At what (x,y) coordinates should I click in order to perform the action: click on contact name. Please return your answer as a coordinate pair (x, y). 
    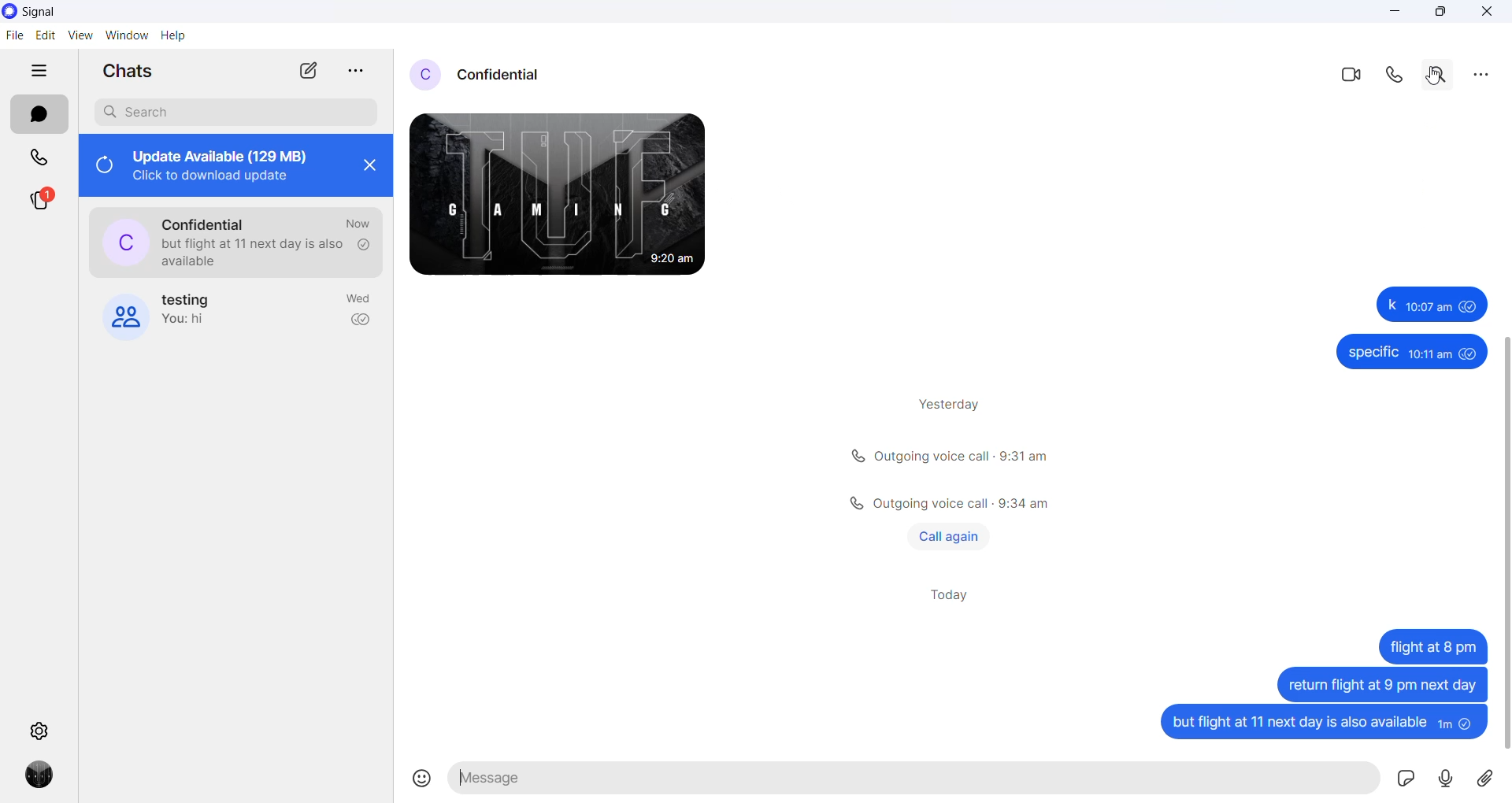
    Looking at the image, I should click on (510, 72).